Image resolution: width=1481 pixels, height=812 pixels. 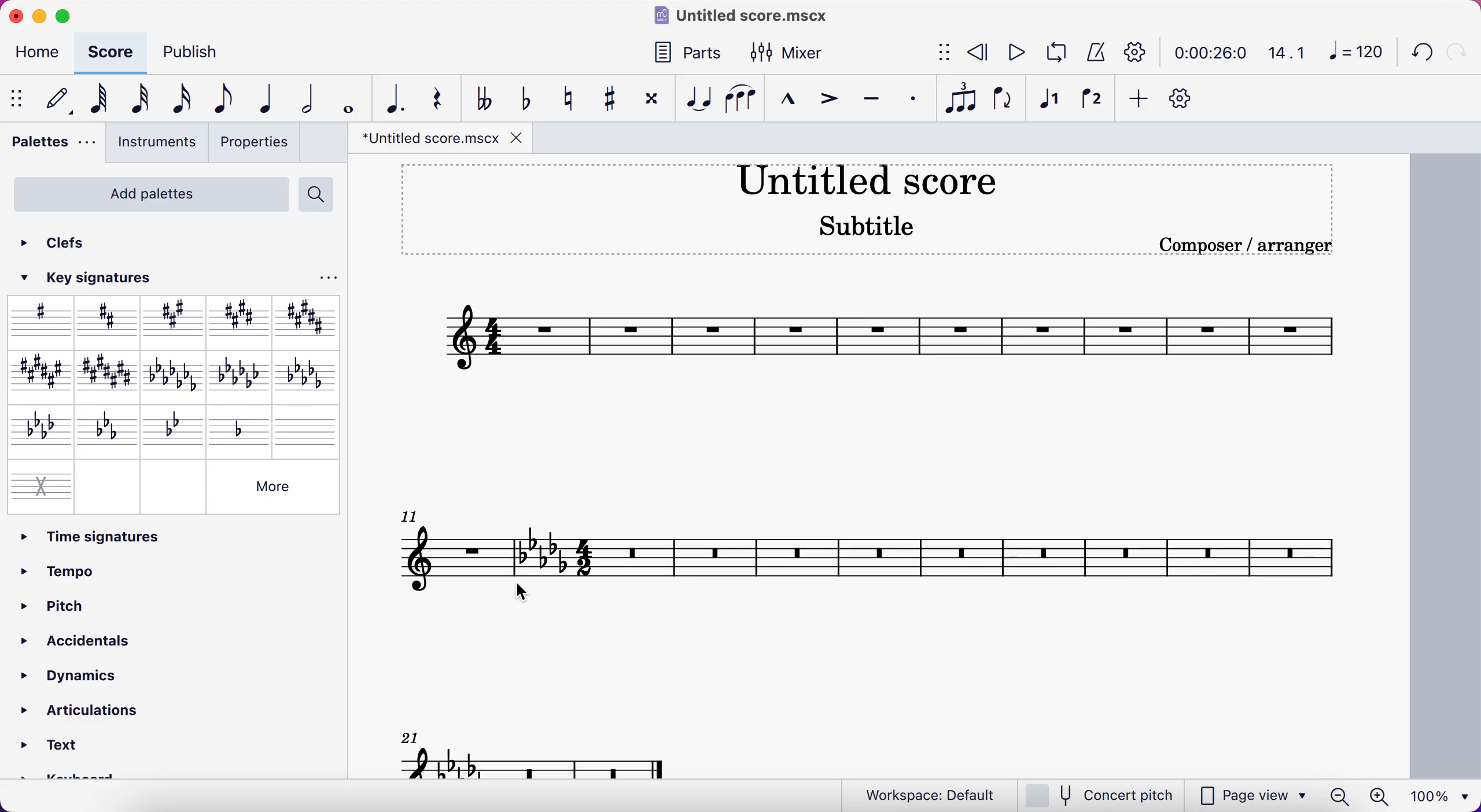 What do you see at coordinates (241, 427) in the screenshot?
I see `D minor` at bounding box center [241, 427].